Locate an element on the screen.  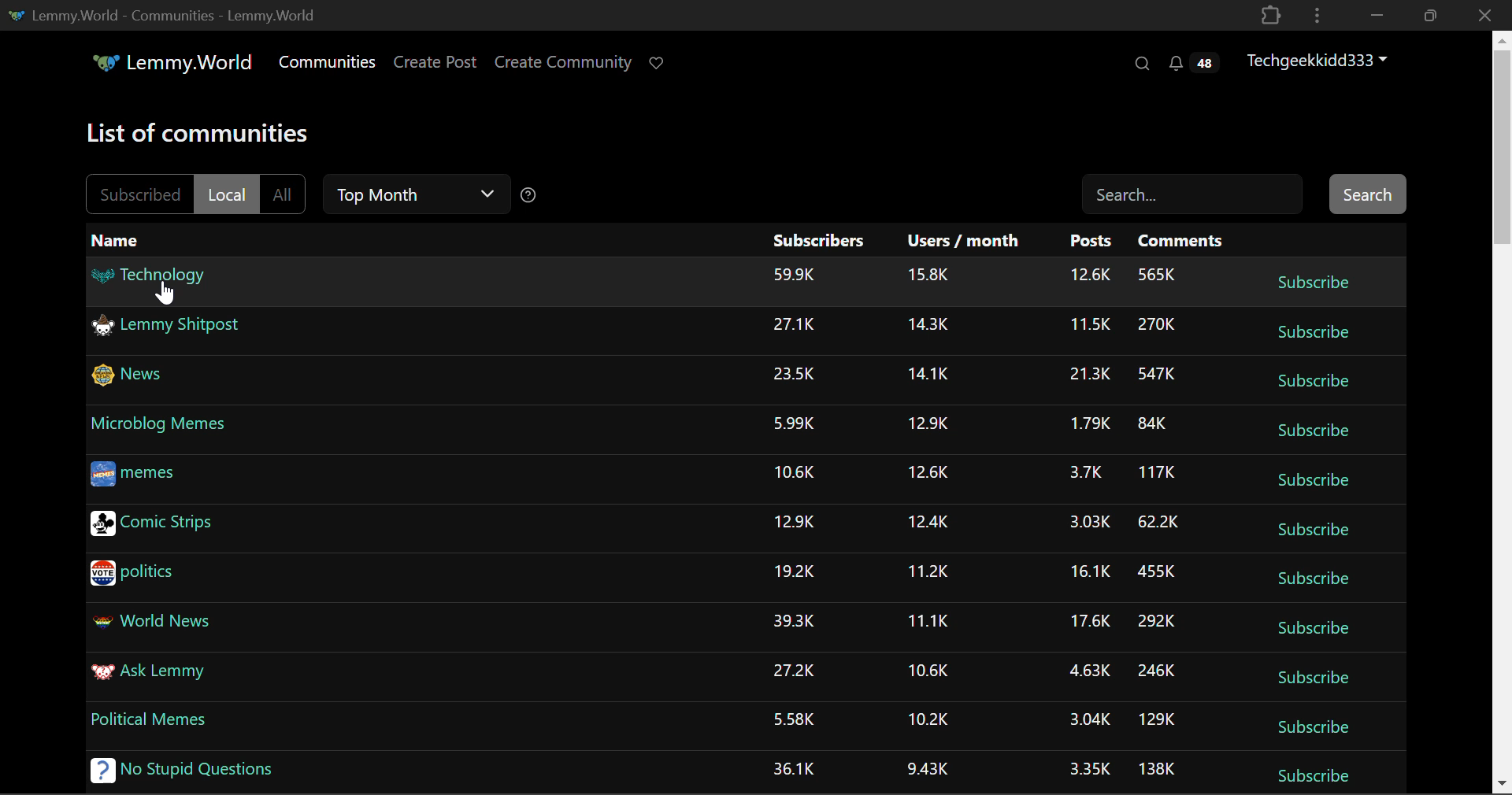
Amount  is located at coordinates (792, 720).